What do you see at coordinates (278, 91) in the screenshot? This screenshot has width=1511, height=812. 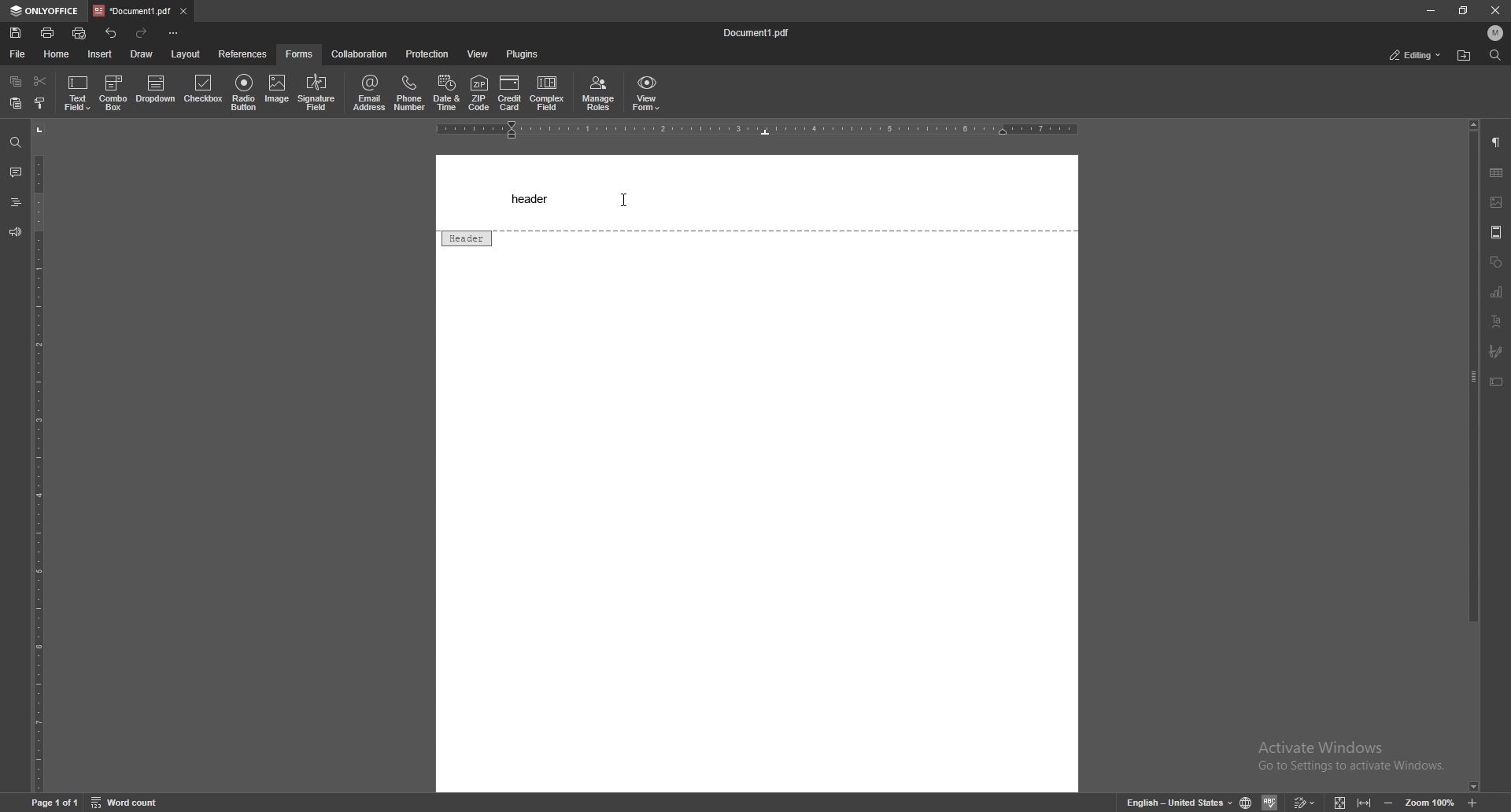 I see `image` at bounding box center [278, 91].